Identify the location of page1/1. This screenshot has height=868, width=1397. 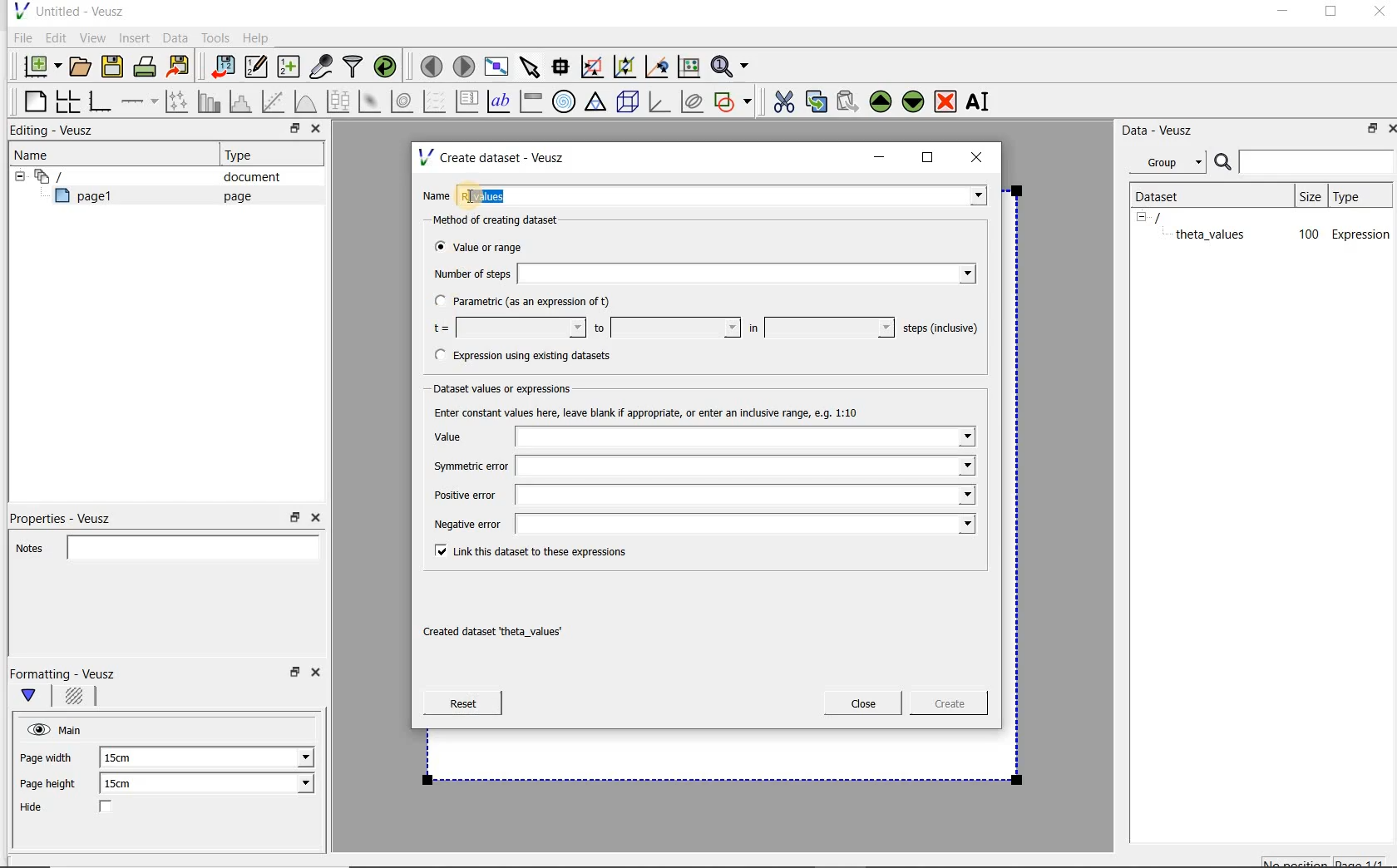
(1366, 861).